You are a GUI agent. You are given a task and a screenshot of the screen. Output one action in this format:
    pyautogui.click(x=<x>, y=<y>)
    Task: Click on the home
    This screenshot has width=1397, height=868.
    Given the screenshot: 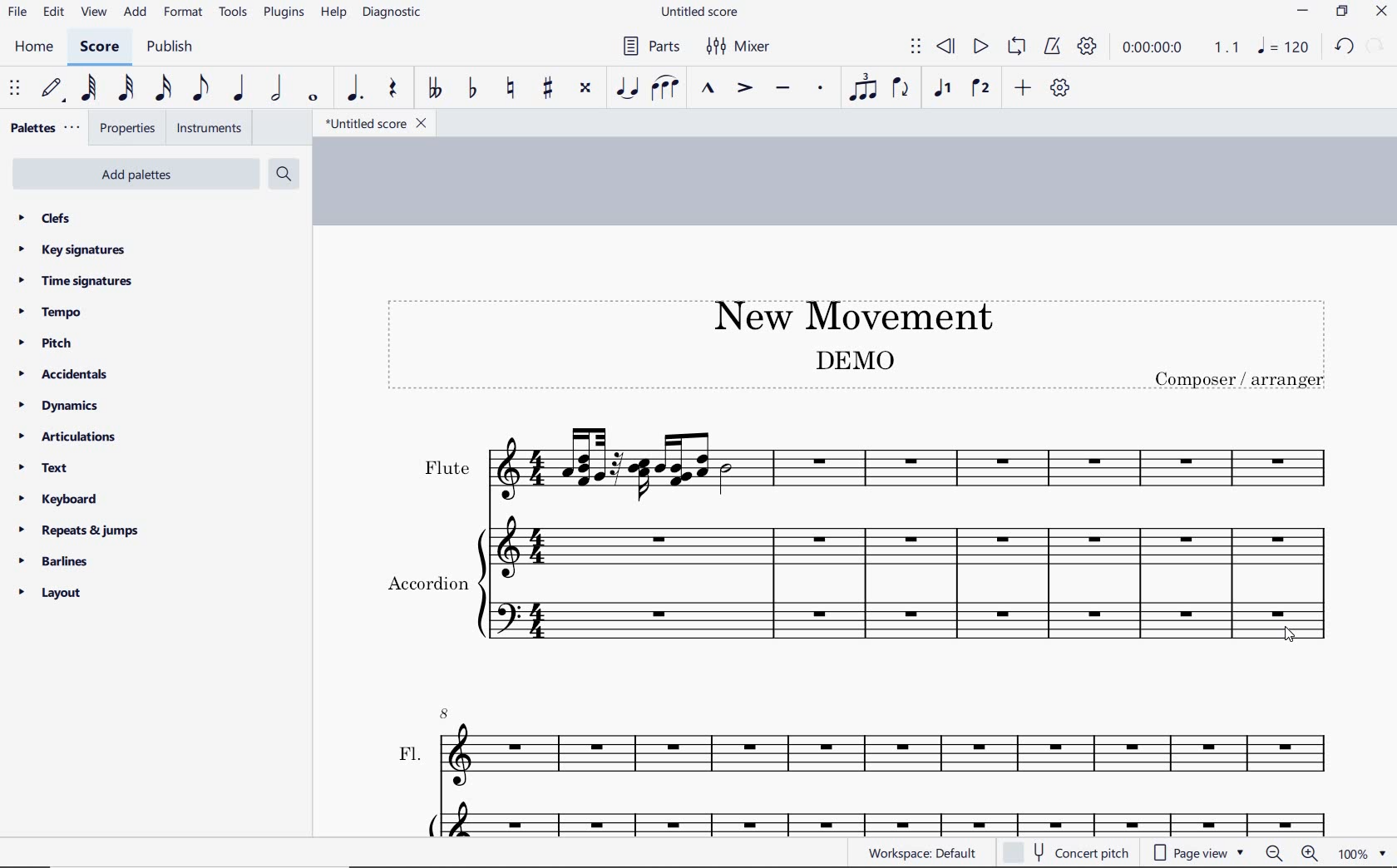 What is the action you would take?
    pyautogui.click(x=33, y=47)
    